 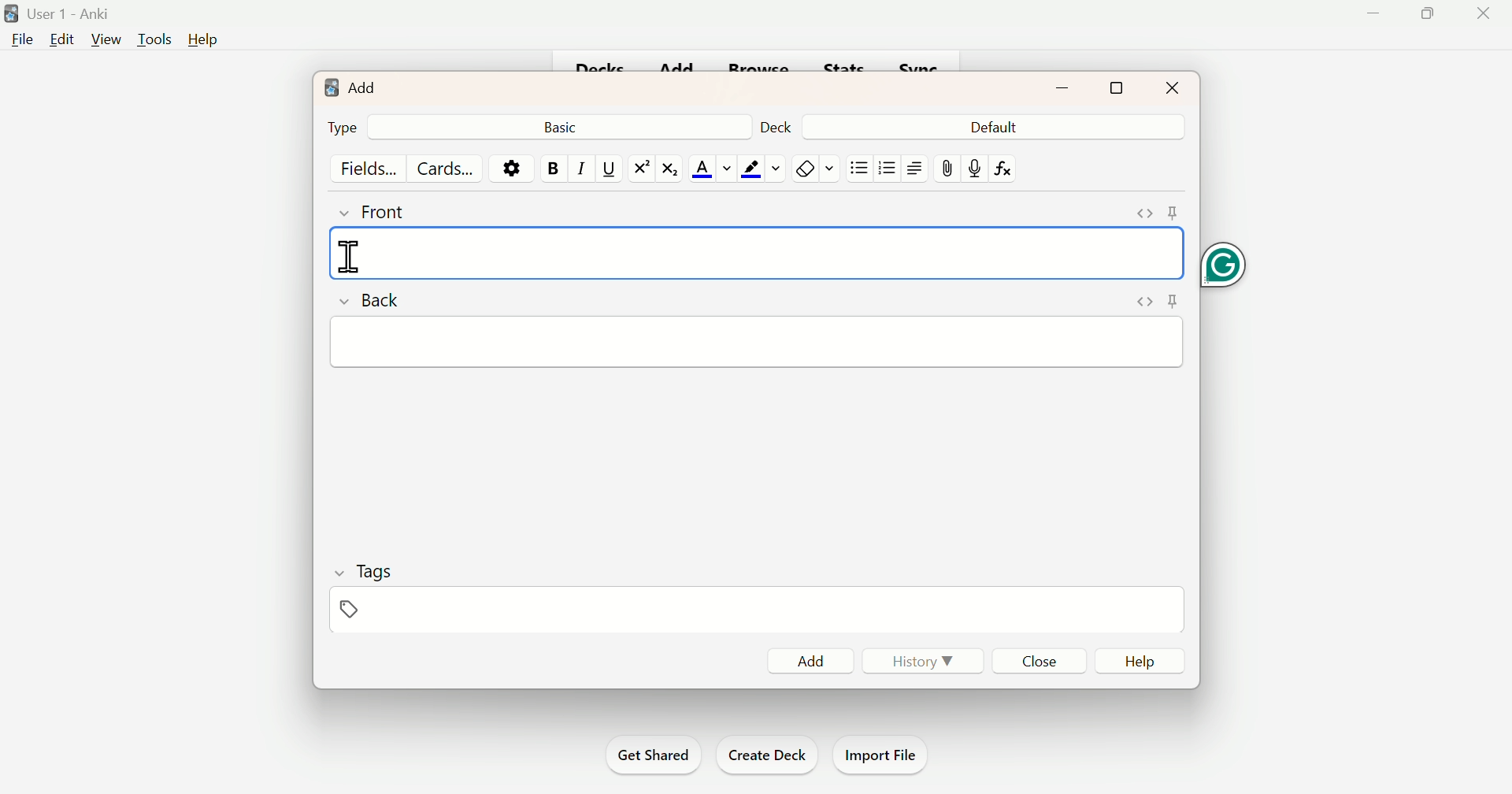 I want to click on pin, so click(x=1172, y=301).